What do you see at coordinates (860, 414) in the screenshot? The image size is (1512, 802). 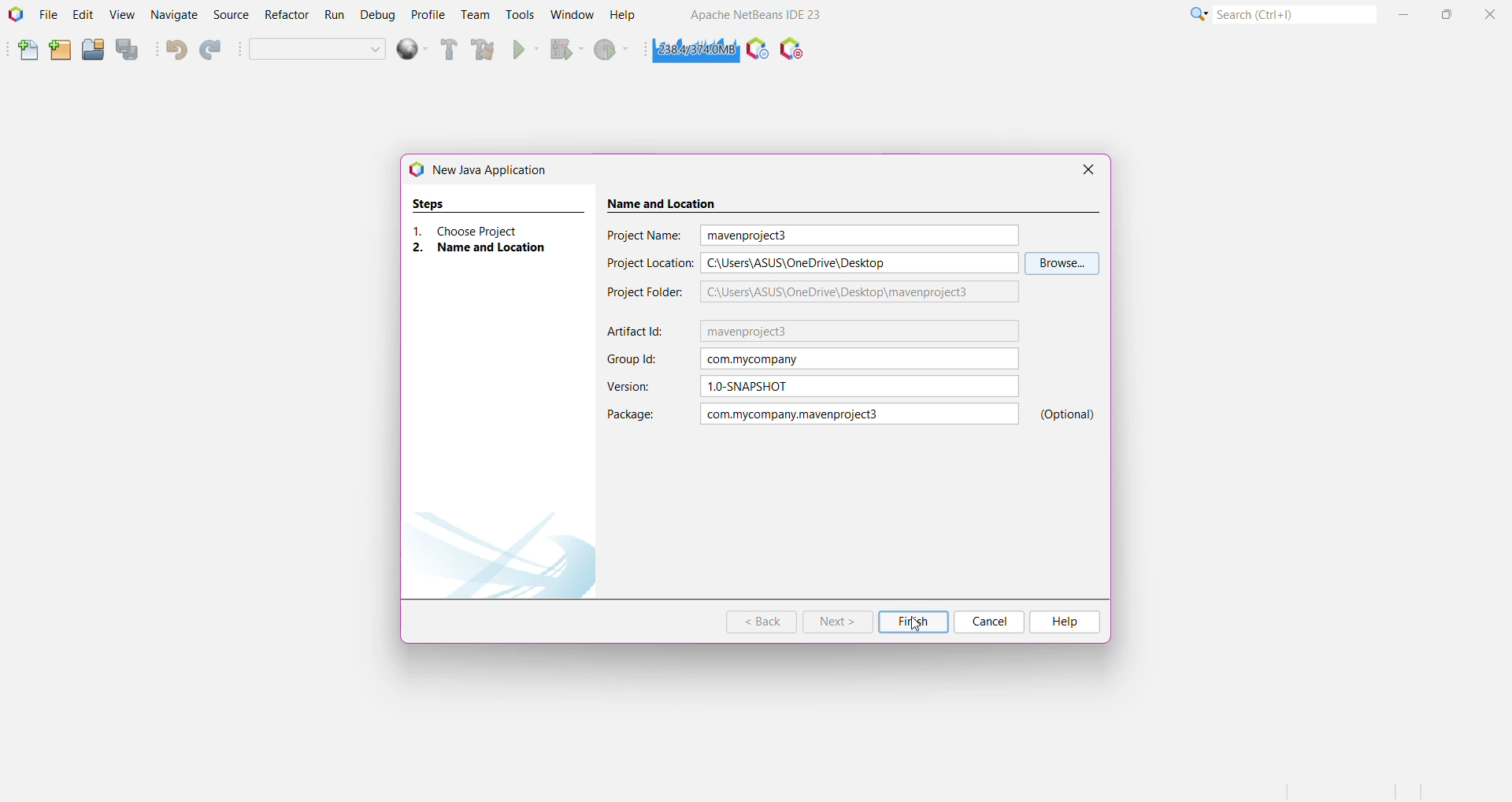 I see `Project Name` at bounding box center [860, 414].